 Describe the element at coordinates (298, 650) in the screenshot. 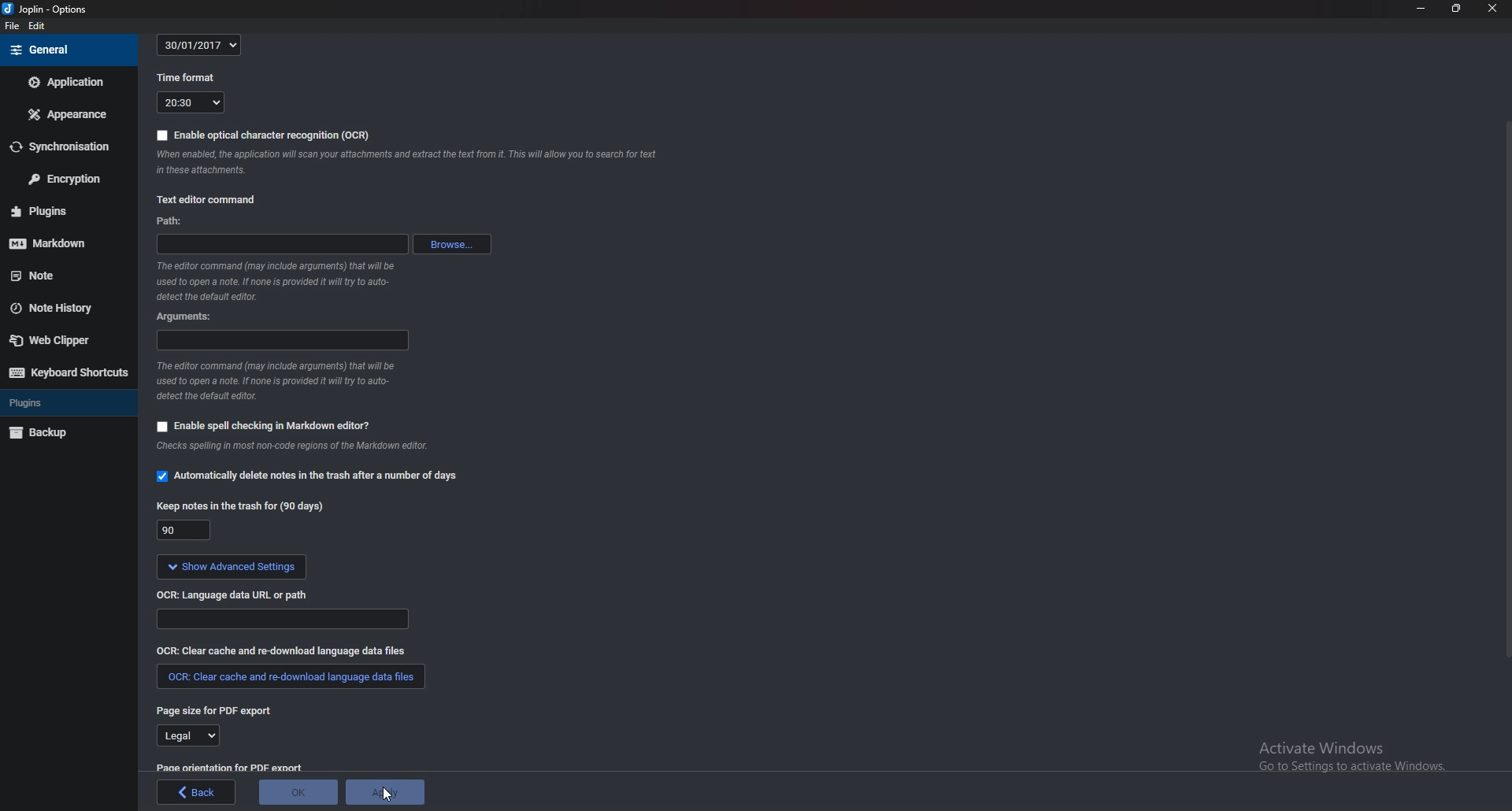

I see `O C R clear cash and redownload language data files` at that location.